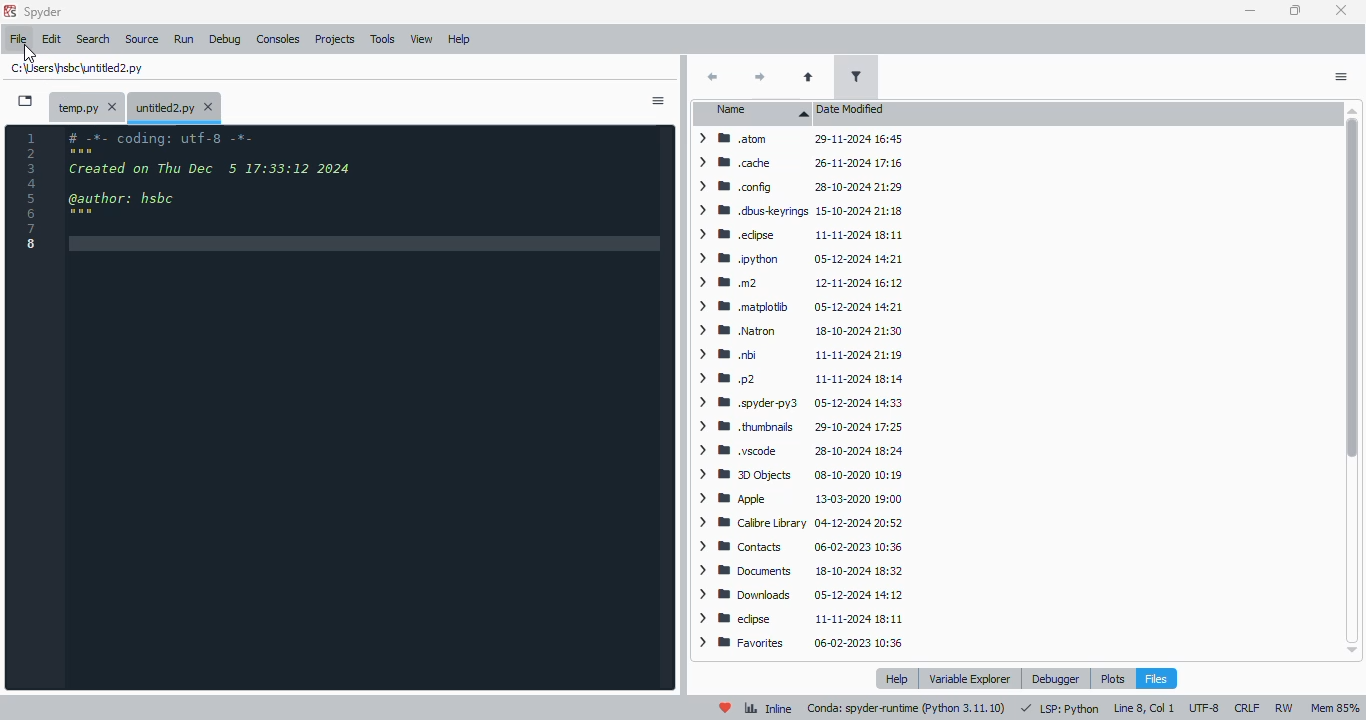 The image size is (1366, 720). Describe the element at coordinates (1156, 679) in the screenshot. I see `files` at that location.